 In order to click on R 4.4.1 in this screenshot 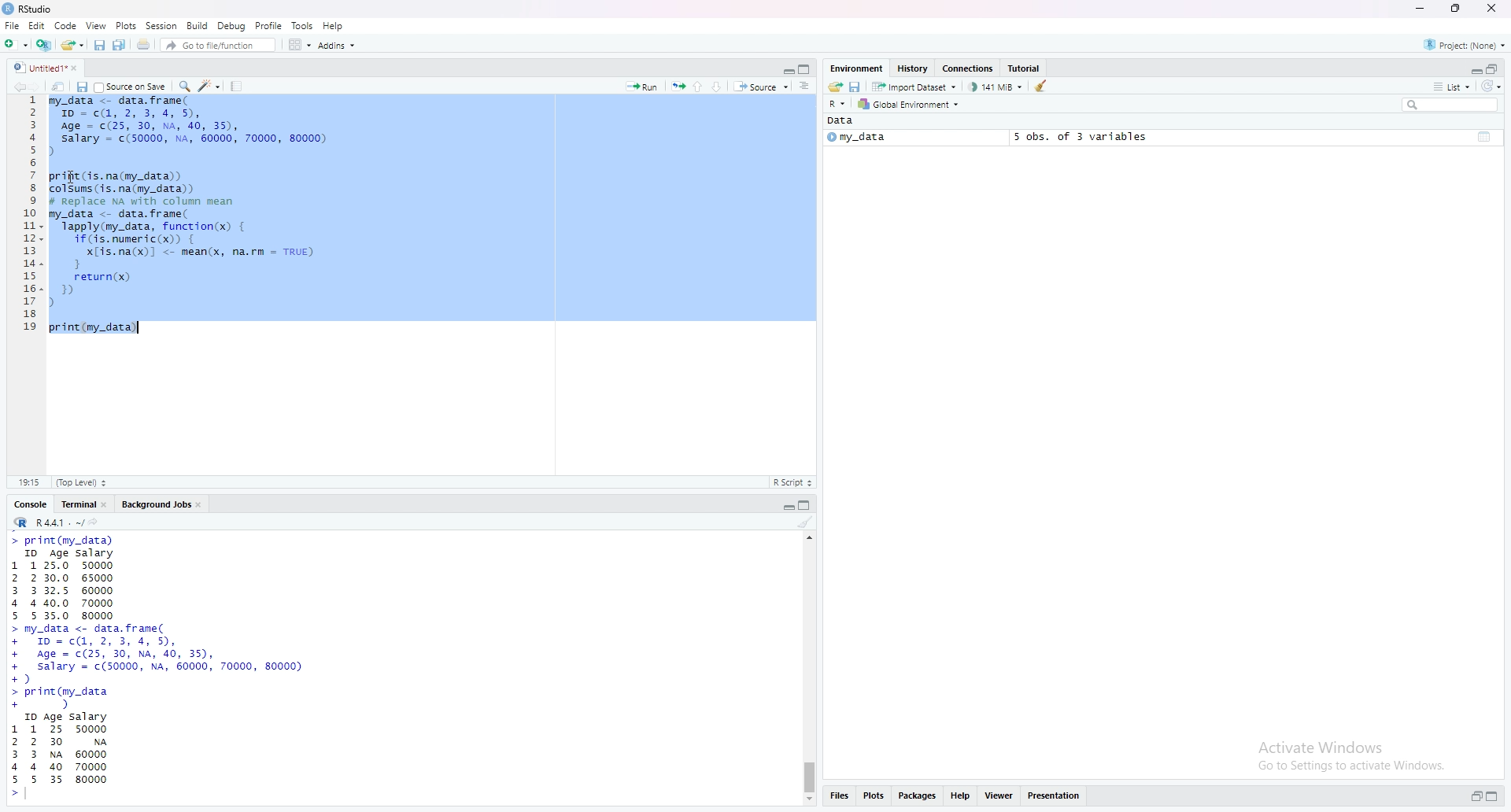, I will do `click(48, 523)`.